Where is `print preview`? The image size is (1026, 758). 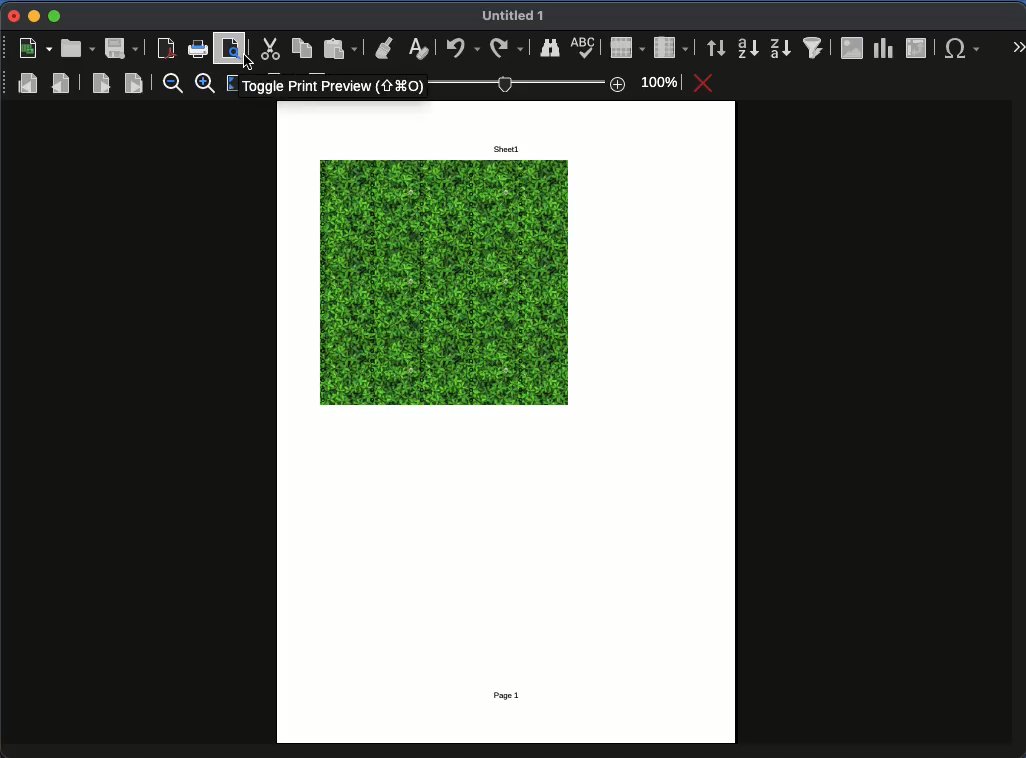
print preview is located at coordinates (332, 87).